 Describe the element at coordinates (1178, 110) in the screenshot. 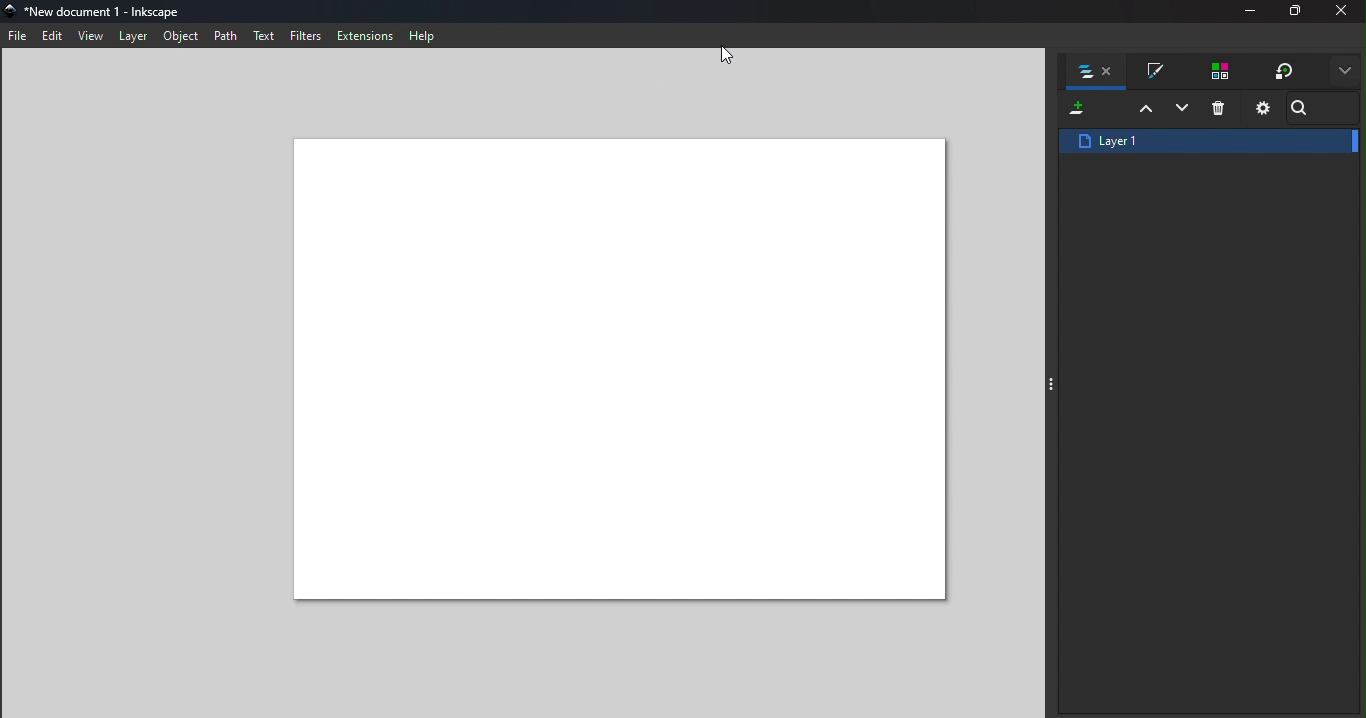

I see `Lowers selection one layer` at that location.